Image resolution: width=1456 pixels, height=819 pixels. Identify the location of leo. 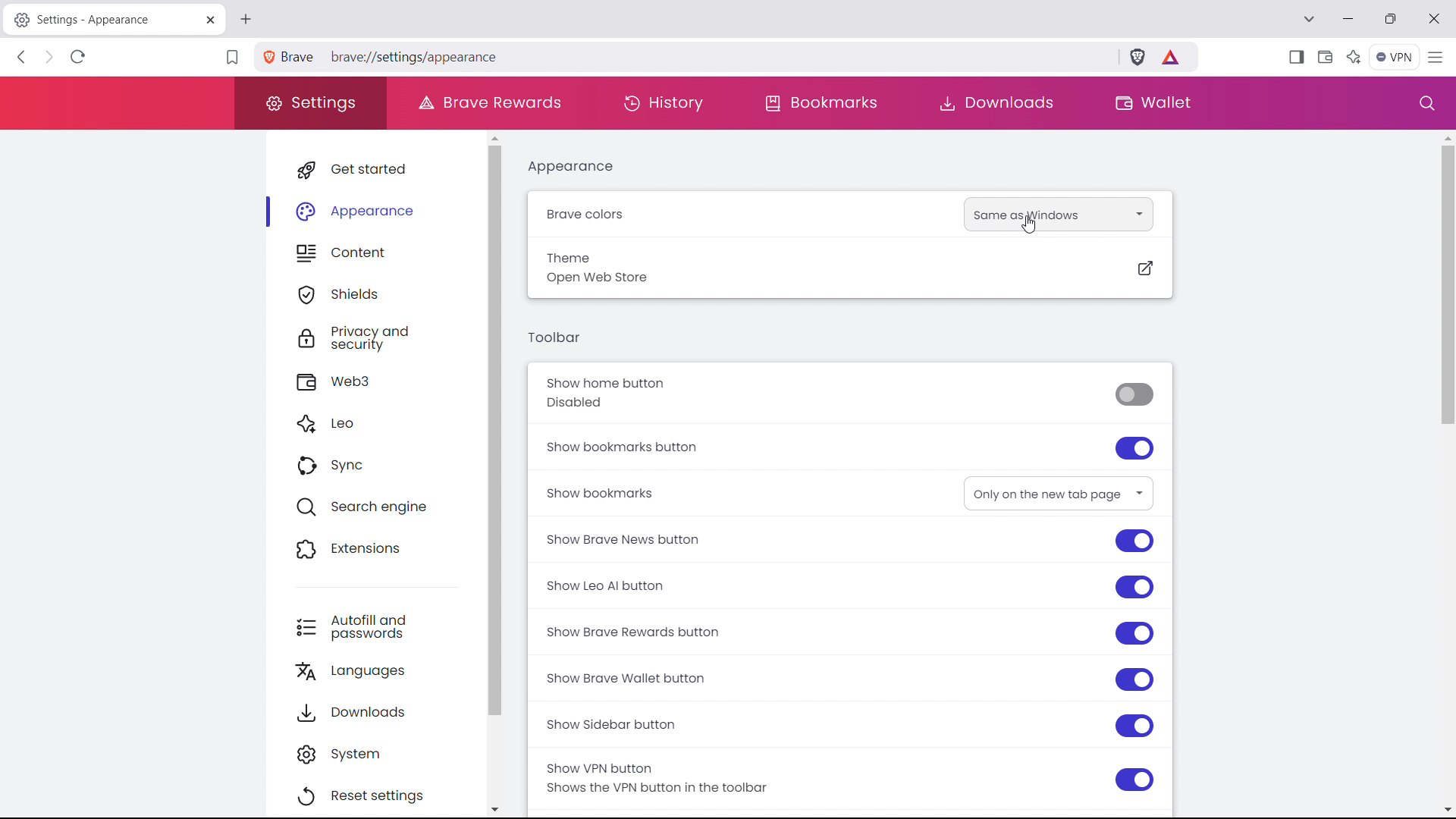
(384, 424).